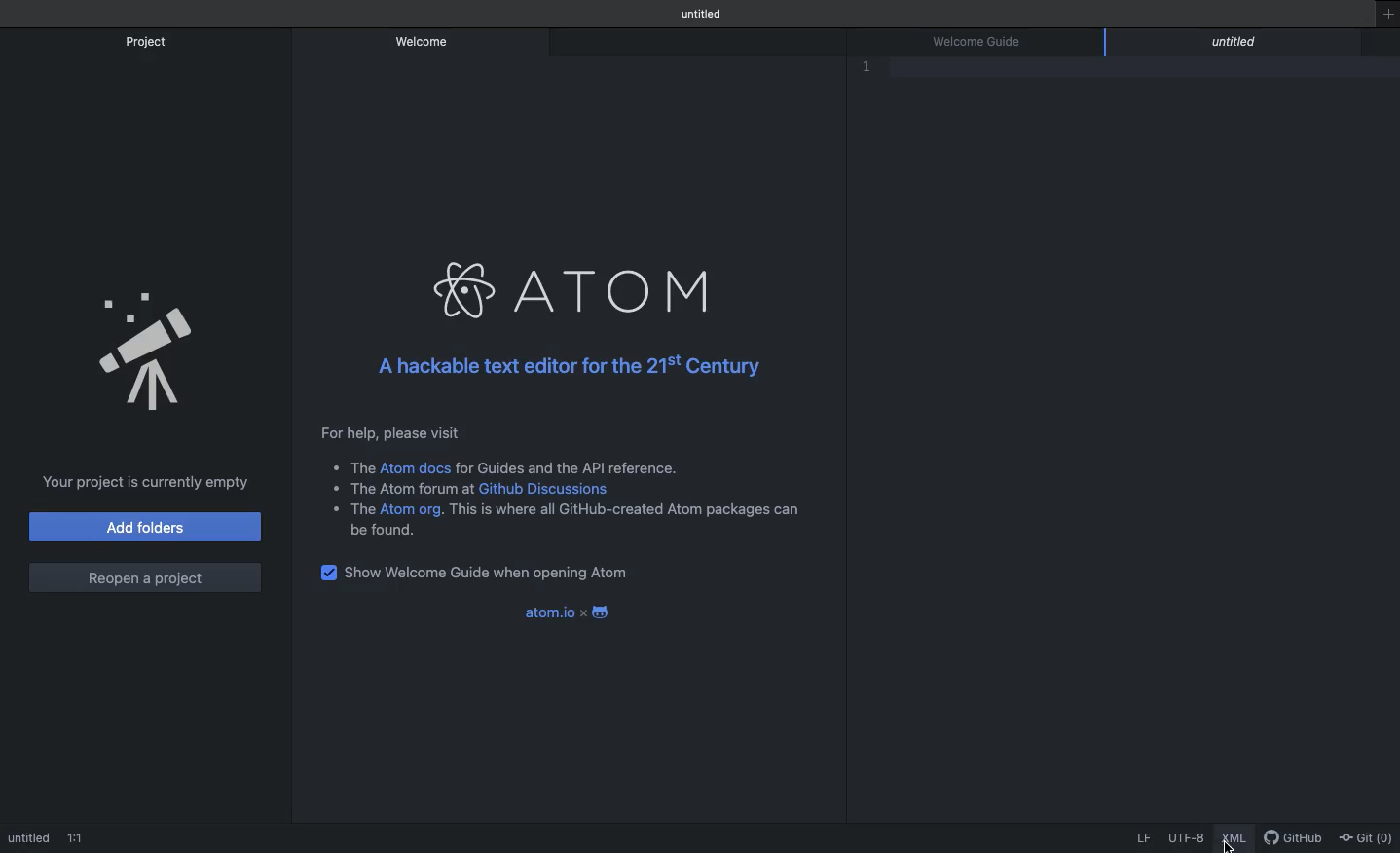  What do you see at coordinates (349, 508) in the screenshot?
I see `list item` at bounding box center [349, 508].